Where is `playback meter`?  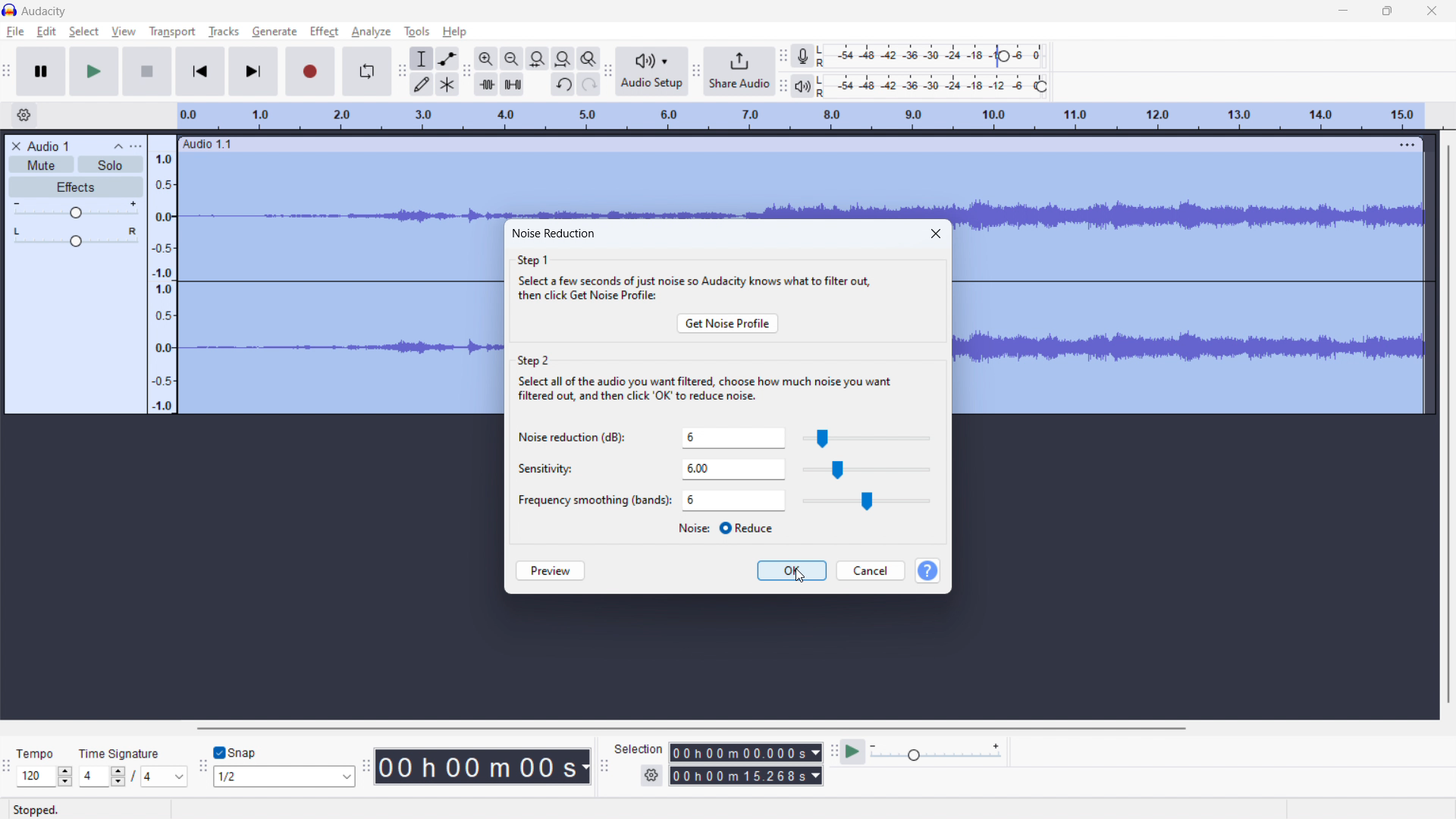
playback meter is located at coordinates (802, 86).